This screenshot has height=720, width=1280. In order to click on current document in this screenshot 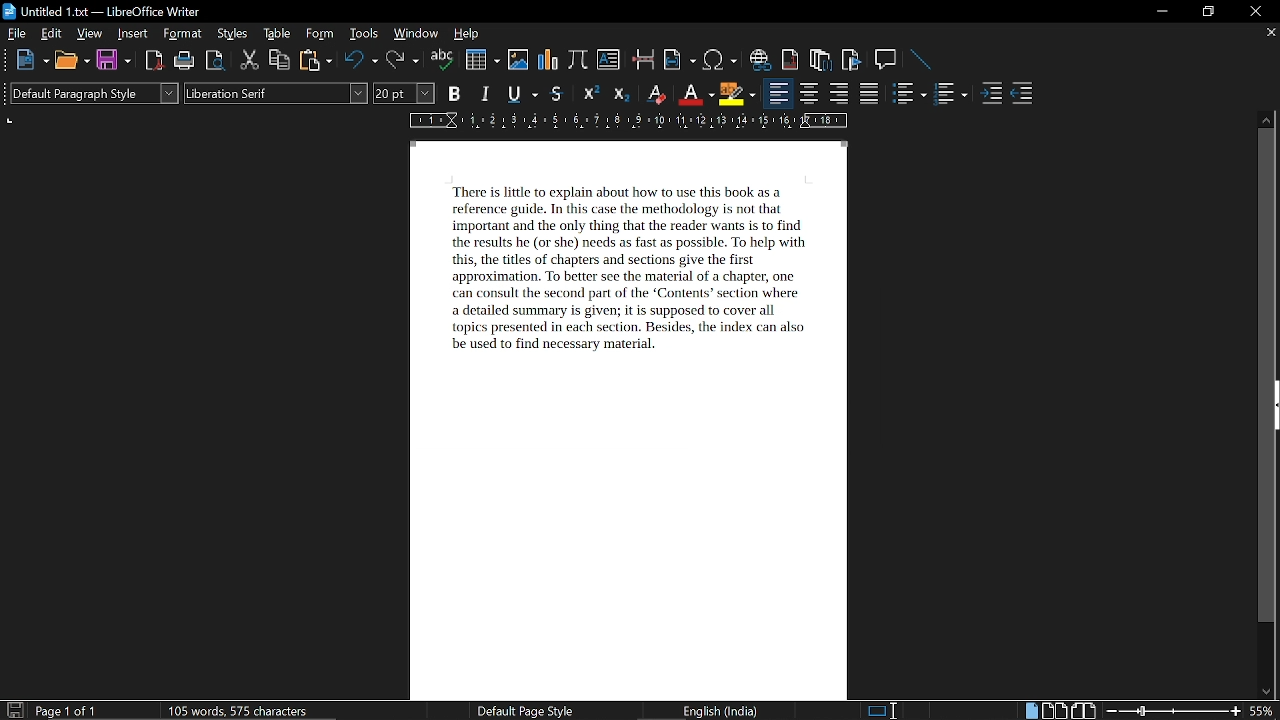, I will do `click(631, 419)`.